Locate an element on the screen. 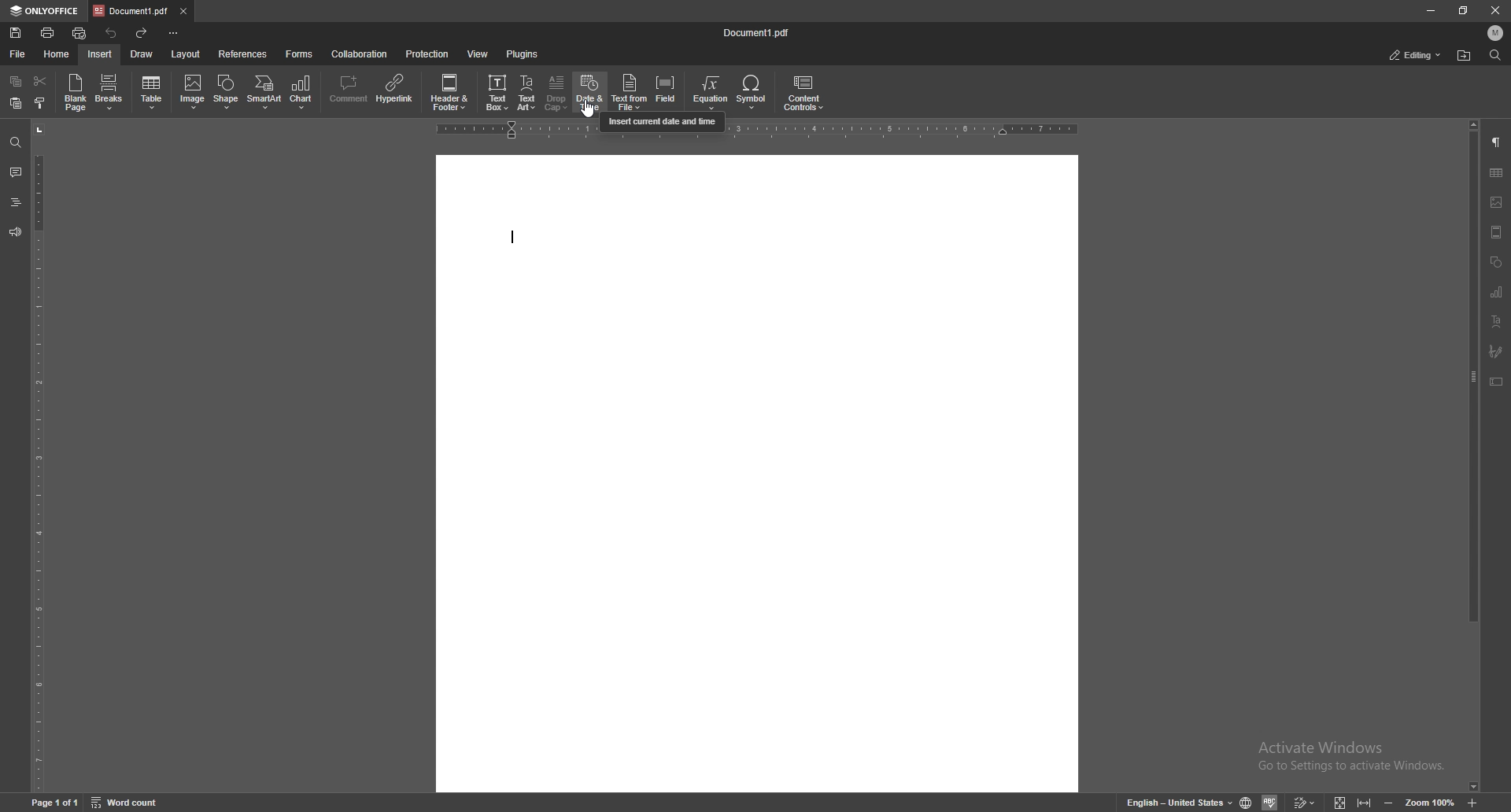  feedback is located at coordinates (15, 232).